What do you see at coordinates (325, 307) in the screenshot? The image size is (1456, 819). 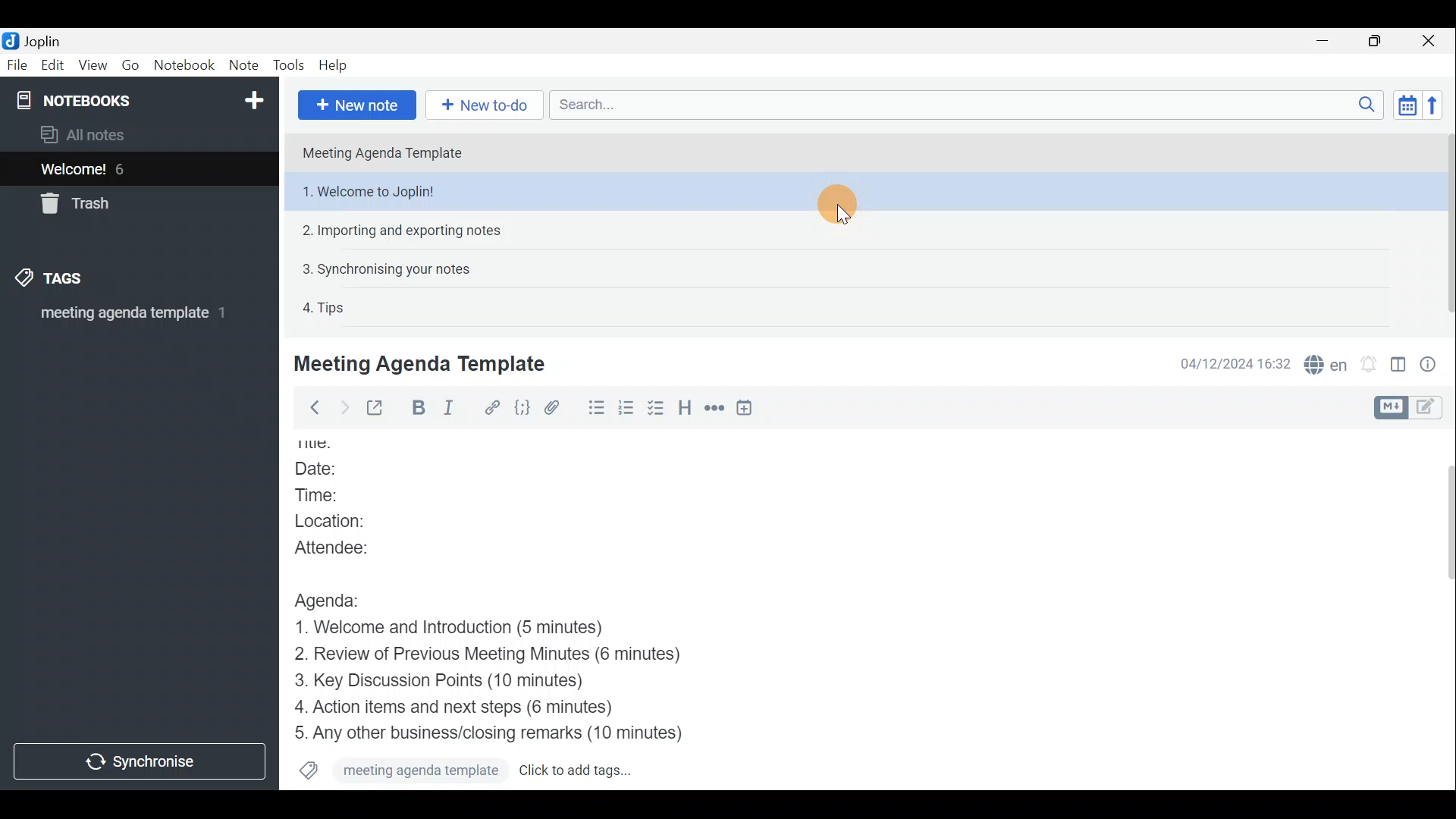 I see `4. Tips` at bounding box center [325, 307].